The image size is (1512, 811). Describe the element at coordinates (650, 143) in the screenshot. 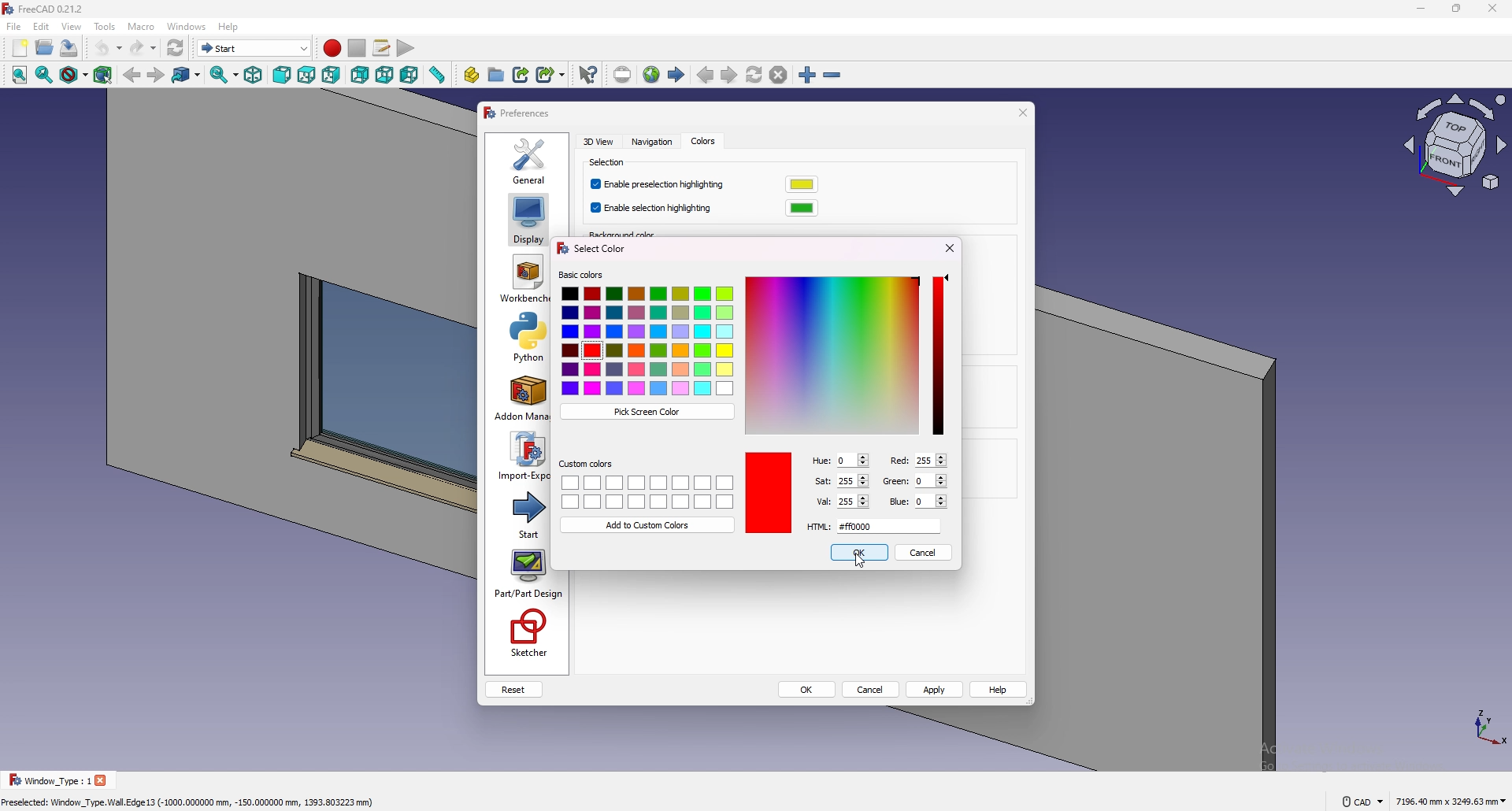

I see `navigation` at that location.